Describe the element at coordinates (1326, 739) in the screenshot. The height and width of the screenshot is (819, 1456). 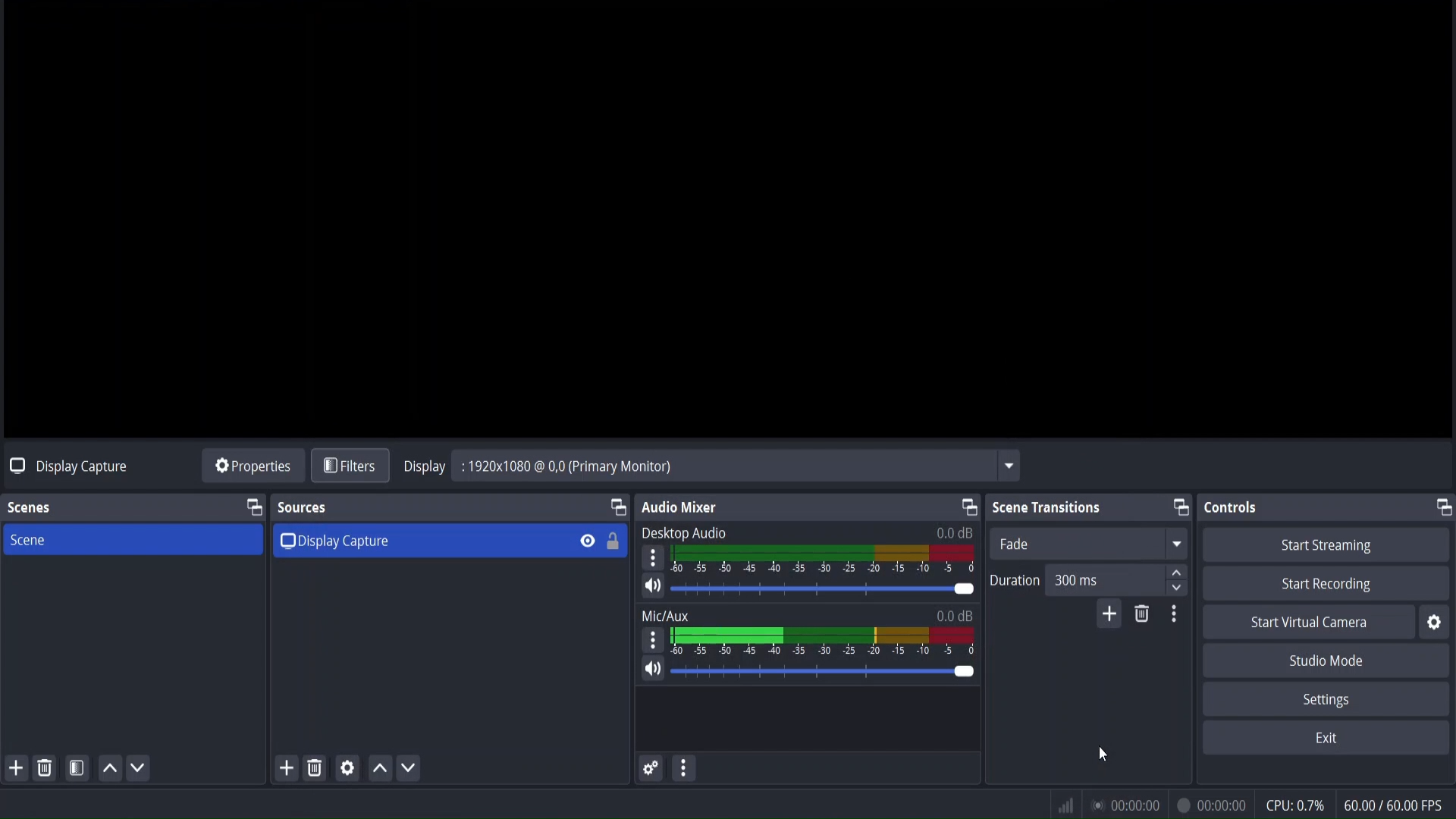
I see `exit` at that location.